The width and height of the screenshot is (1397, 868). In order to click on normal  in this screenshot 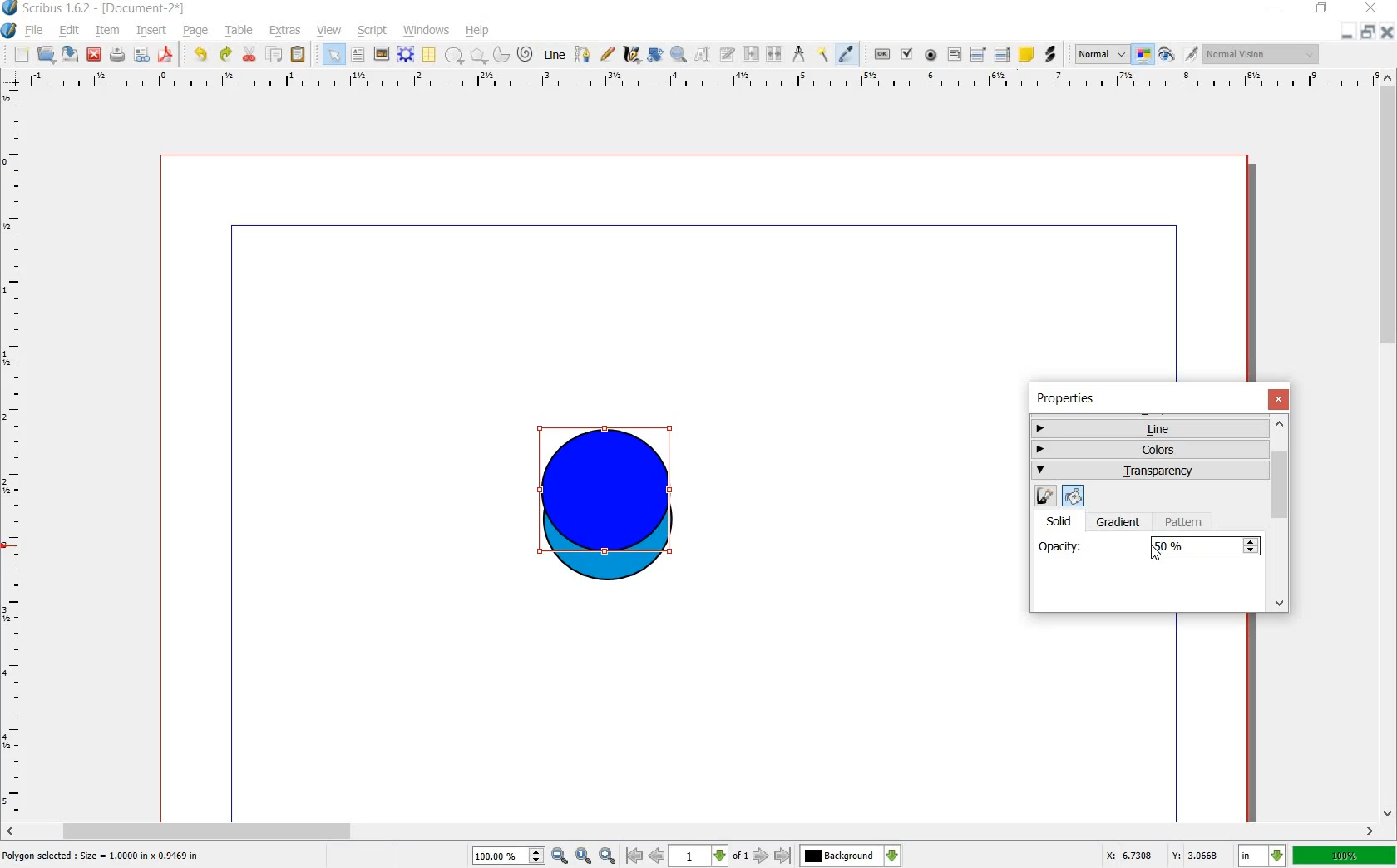, I will do `click(1099, 54)`.